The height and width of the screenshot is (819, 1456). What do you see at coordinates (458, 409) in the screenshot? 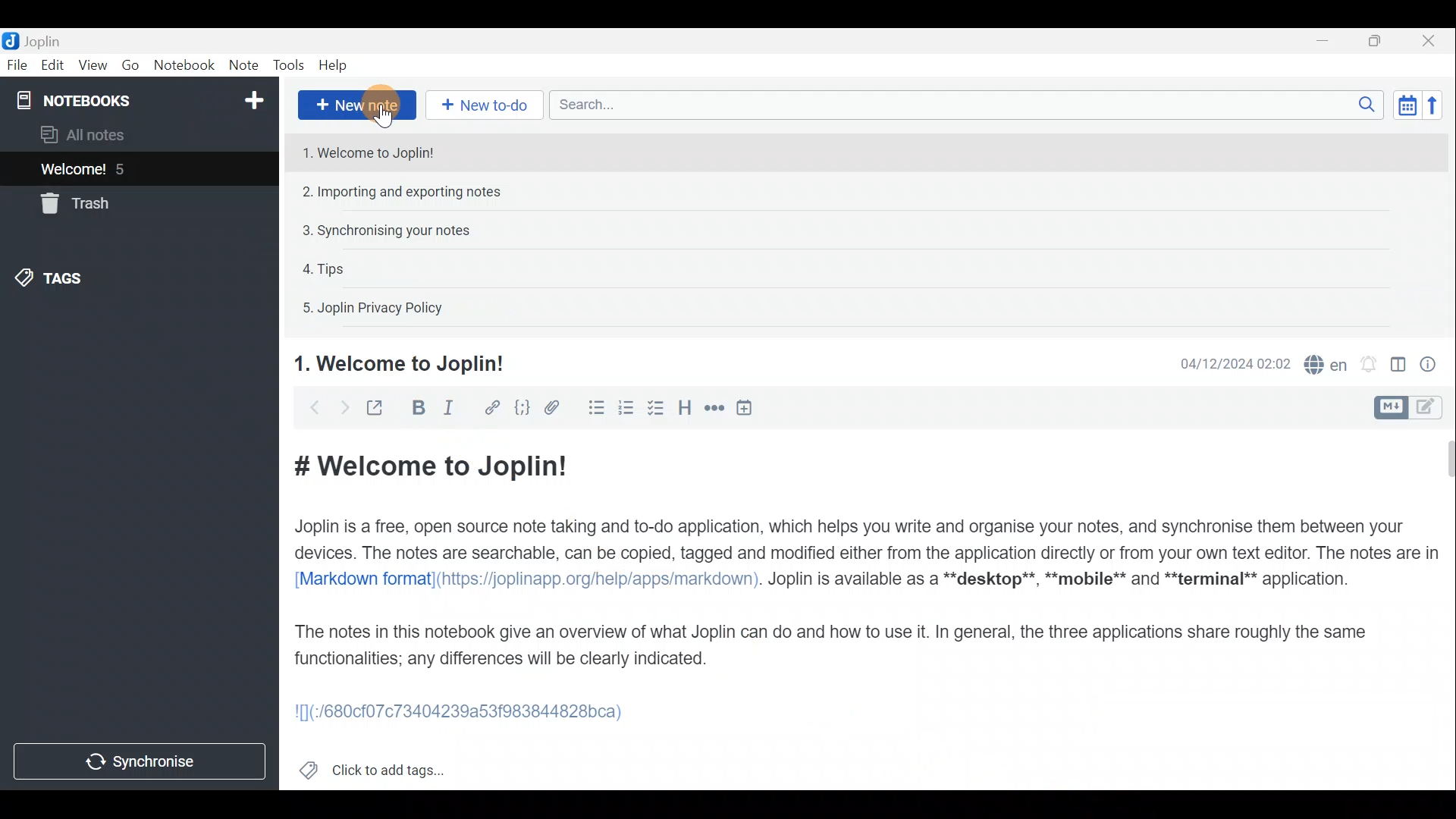
I see `Italic` at bounding box center [458, 409].